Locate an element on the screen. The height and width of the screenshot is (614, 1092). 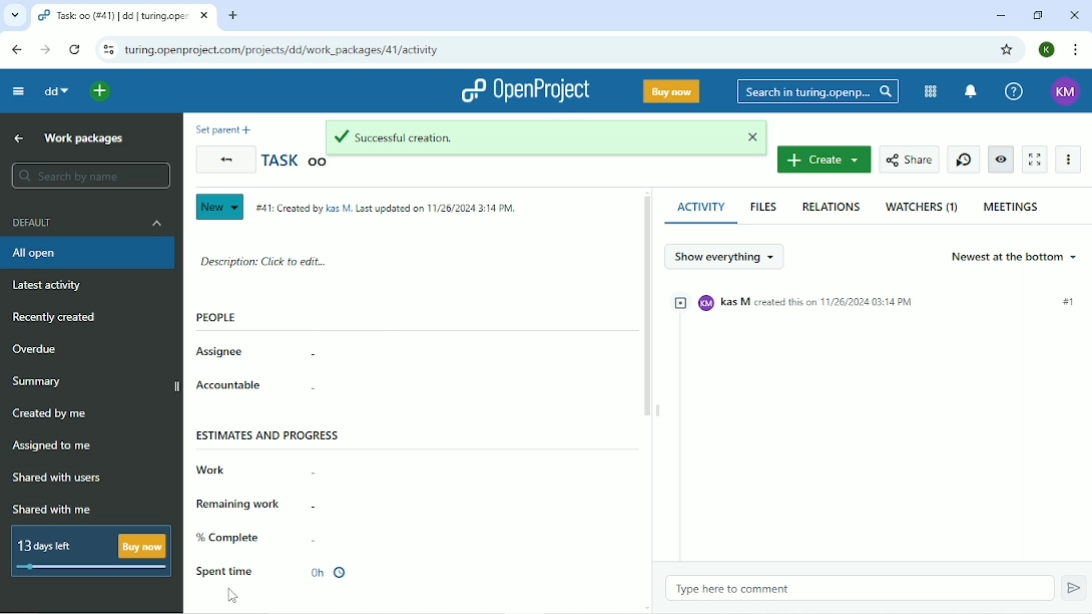
Remaining work is located at coordinates (246, 503).